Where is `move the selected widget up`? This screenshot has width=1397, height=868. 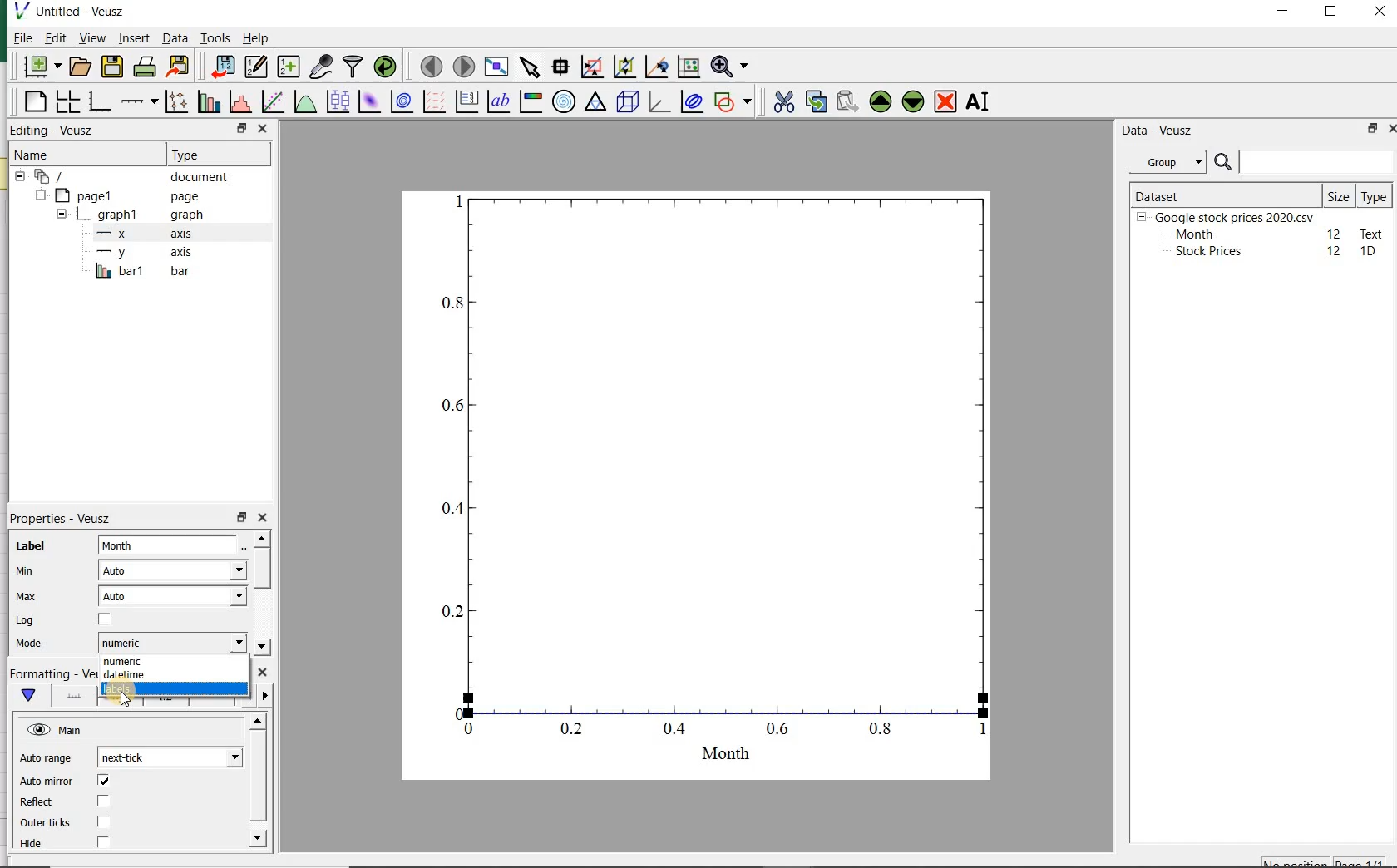
move the selected widget up is located at coordinates (881, 101).